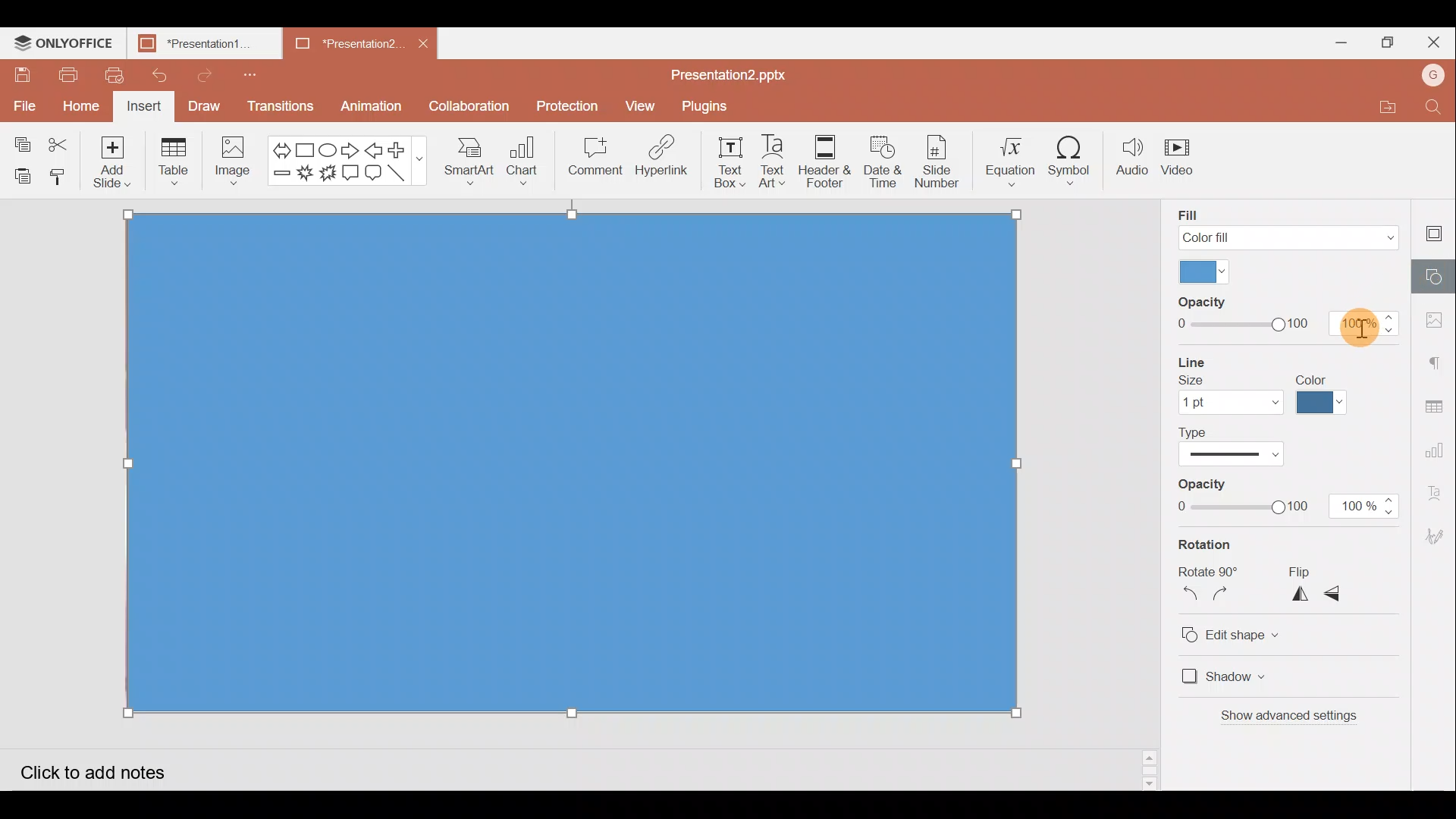 The width and height of the screenshot is (1456, 819). Describe the element at coordinates (1132, 159) in the screenshot. I see `Audio` at that location.